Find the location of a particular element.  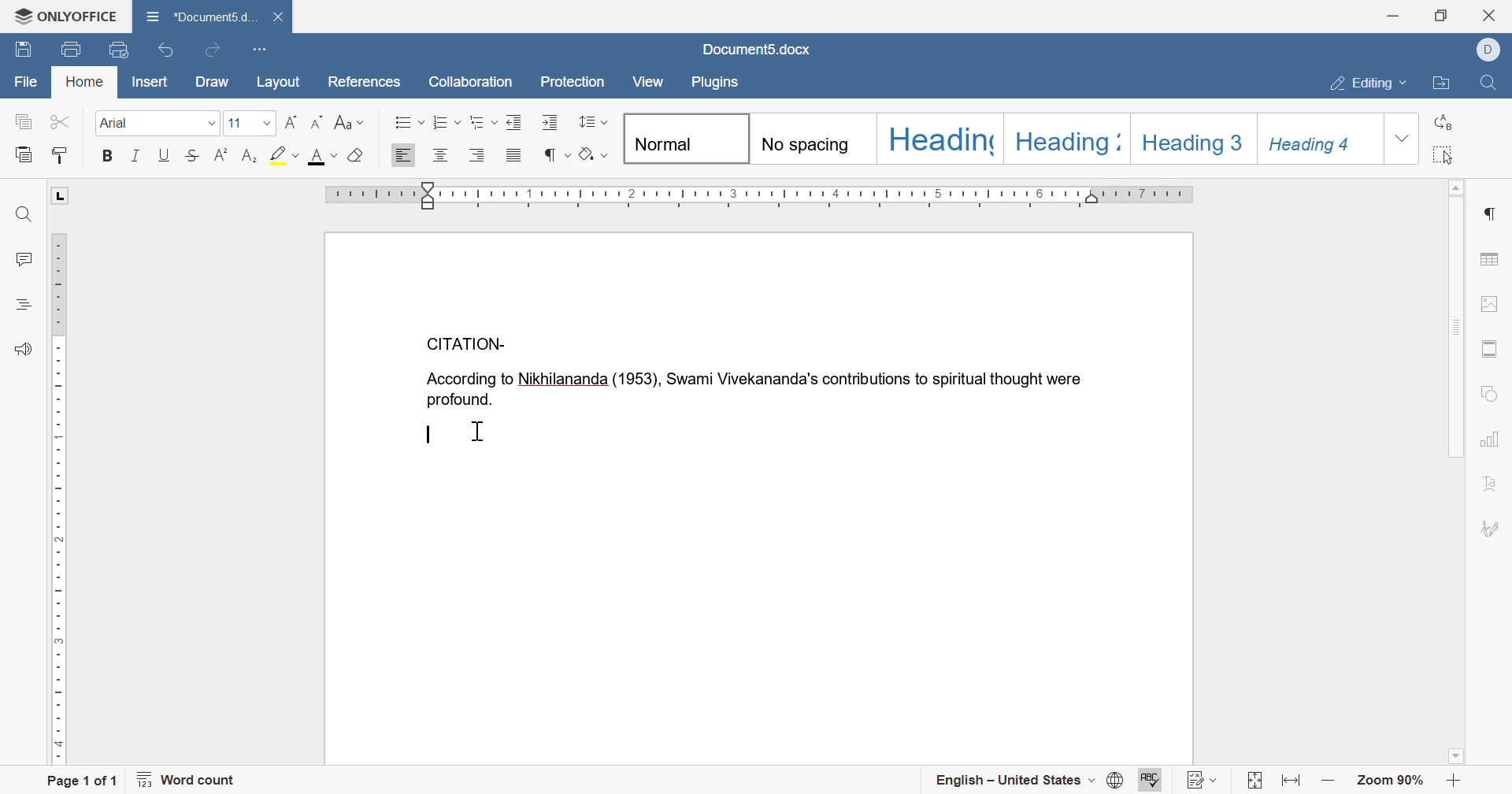

clear style is located at coordinates (591, 156).